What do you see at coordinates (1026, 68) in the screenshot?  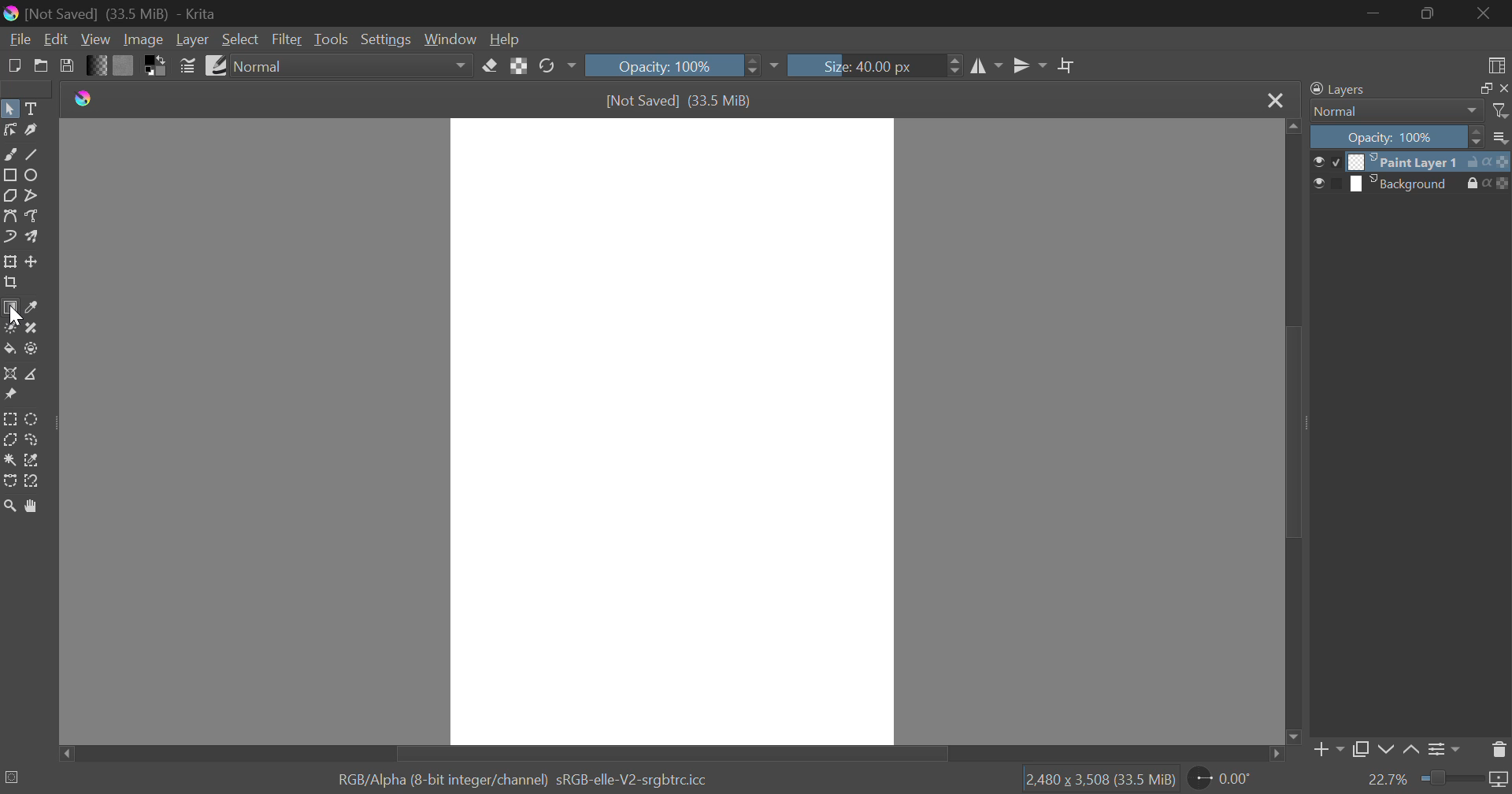 I see `Horizontal Mirror Flip` at bounding box center [1026, 68].